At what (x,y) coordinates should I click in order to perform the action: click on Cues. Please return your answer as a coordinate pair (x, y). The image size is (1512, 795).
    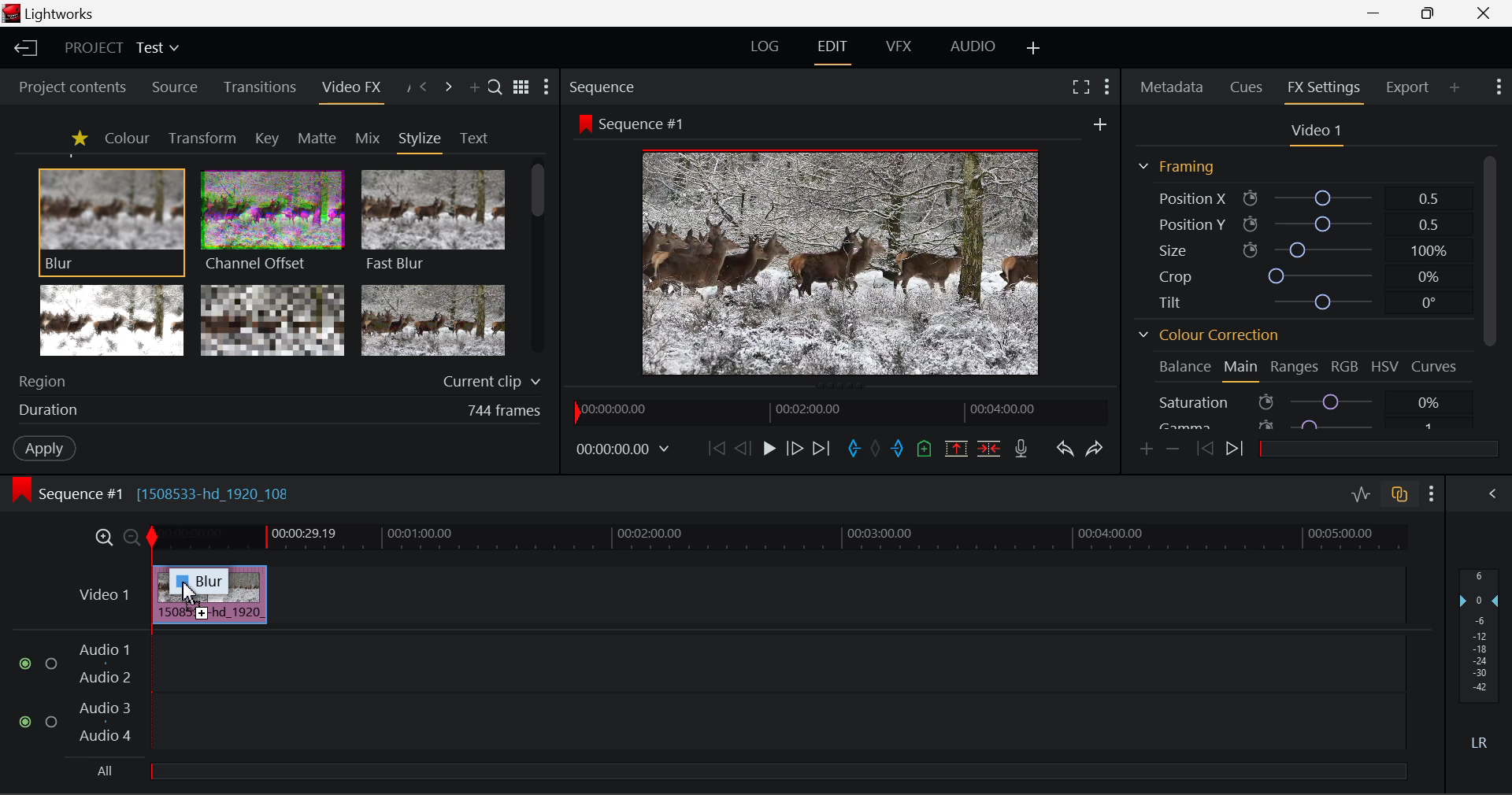
    Looking at the image, I should click on (1249, 88).